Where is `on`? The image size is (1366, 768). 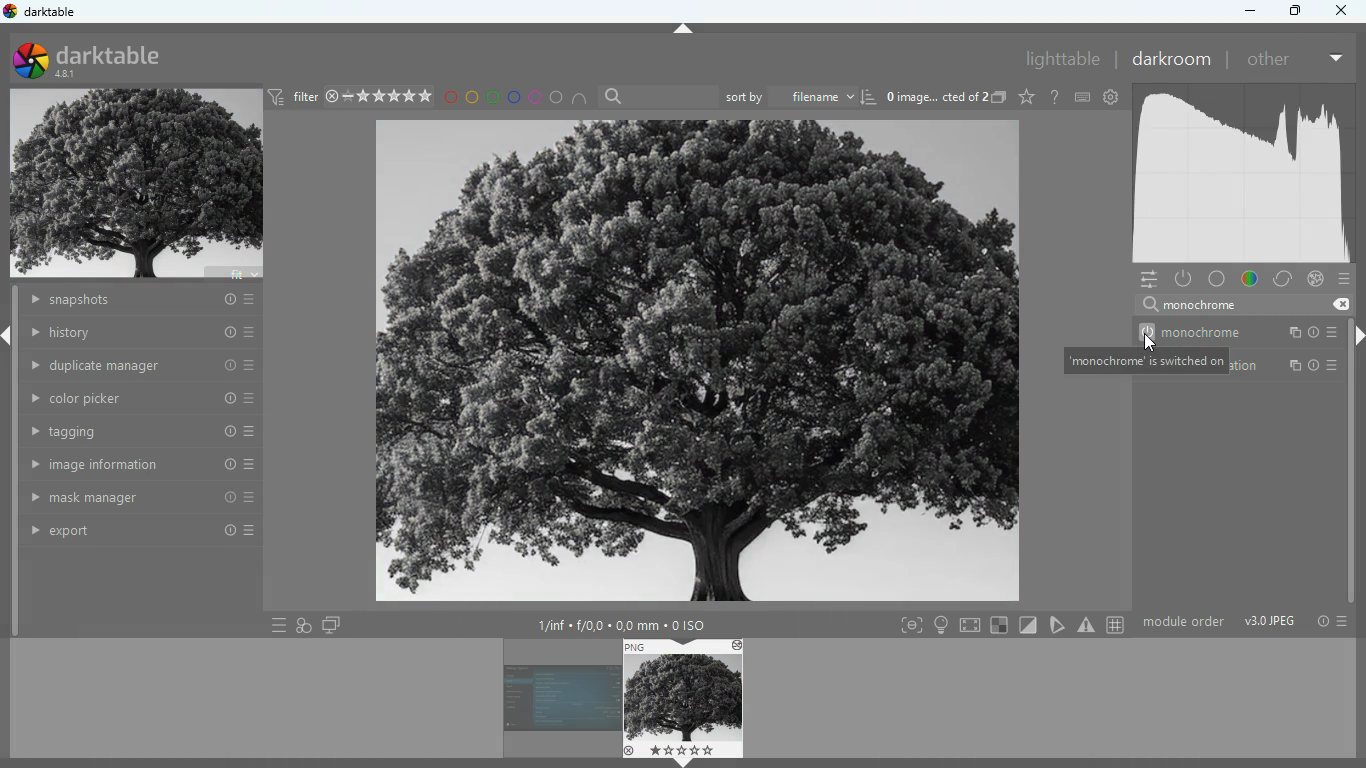 on is located at coordinates (1147, 332).